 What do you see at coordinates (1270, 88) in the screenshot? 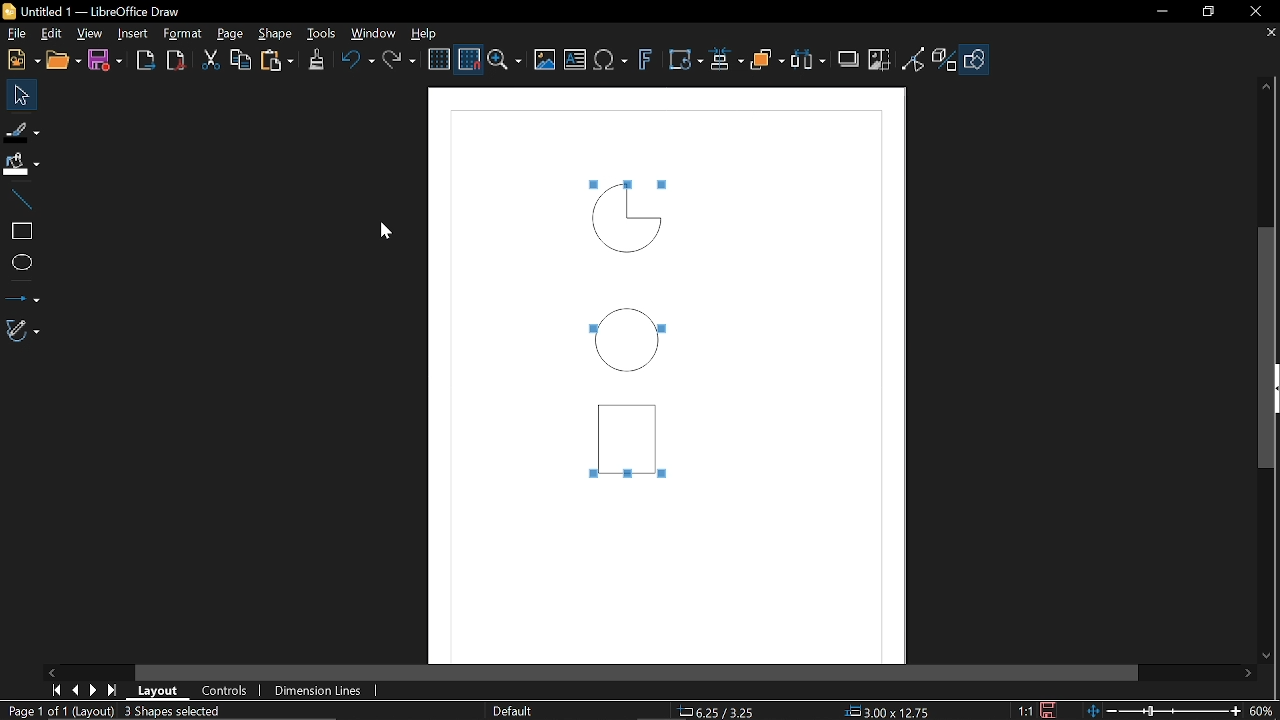
I see `Move up` at bounding box center [1270, 88].